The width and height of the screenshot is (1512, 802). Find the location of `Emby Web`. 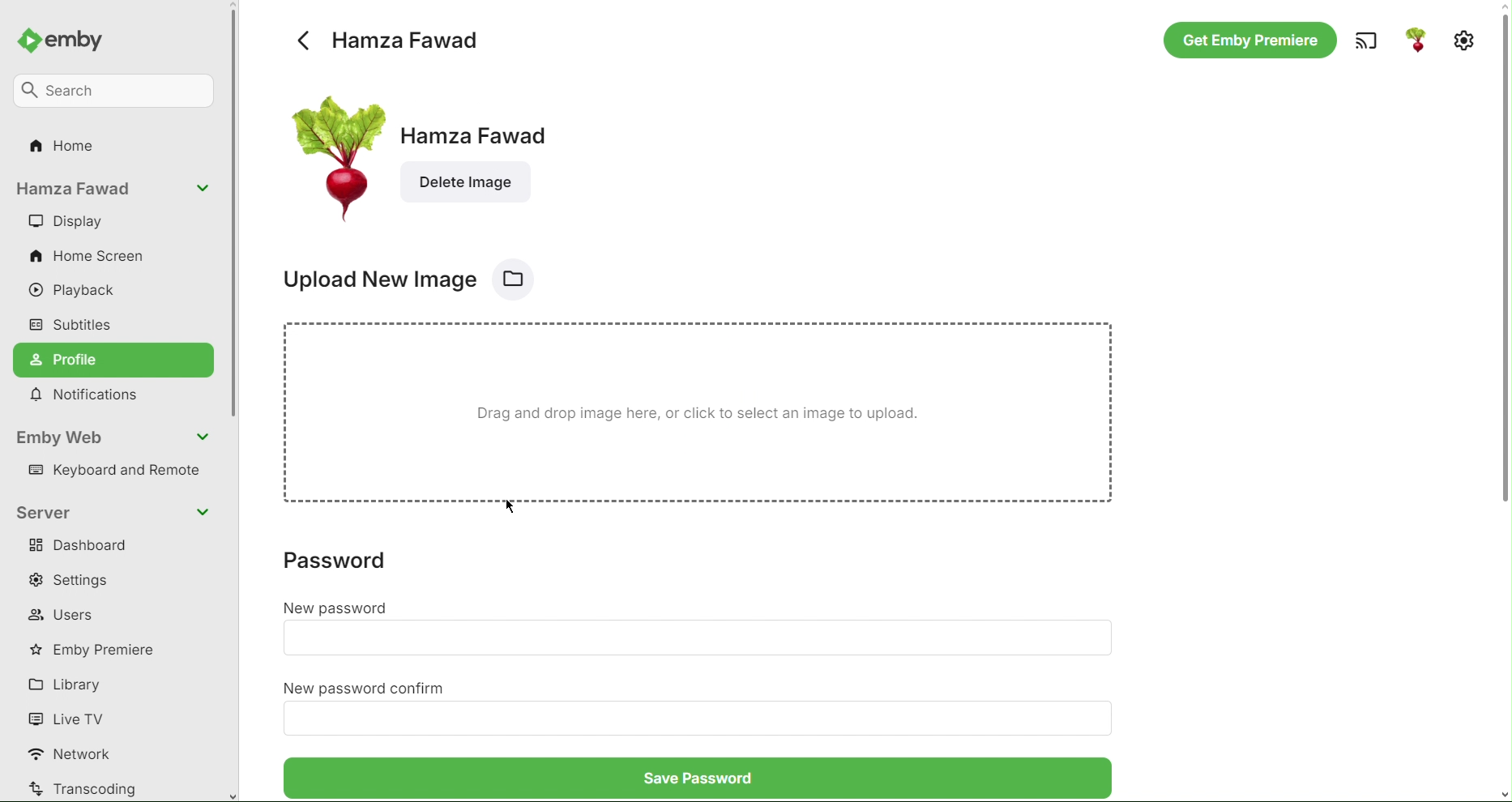

Emby Web is located at coordinates (115, 437).